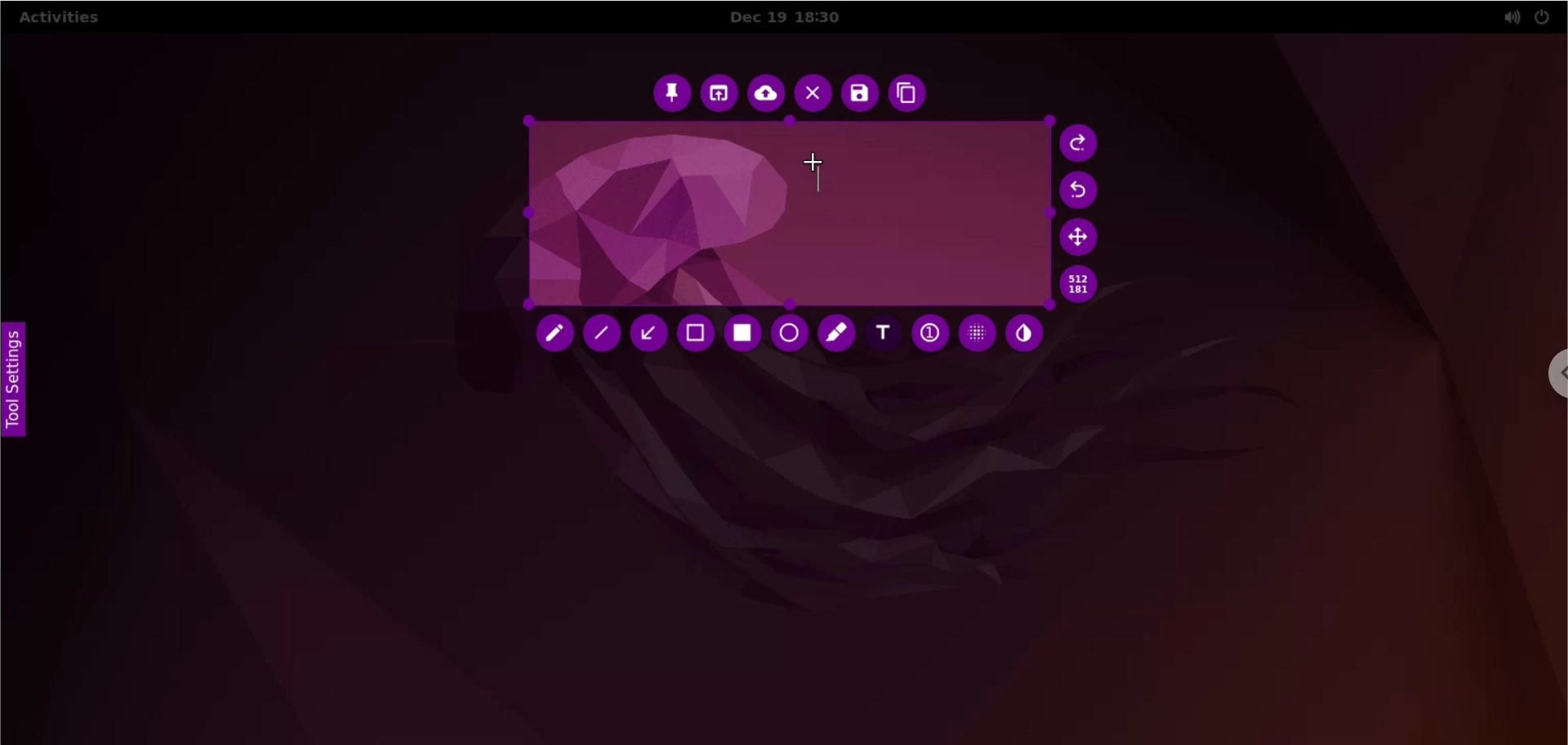 This screenshot has width=1568, height=745. What do you see at coordinates (748, 332) in the screenshot?
I see `rectangle tool` at bounding box center [748, 332].